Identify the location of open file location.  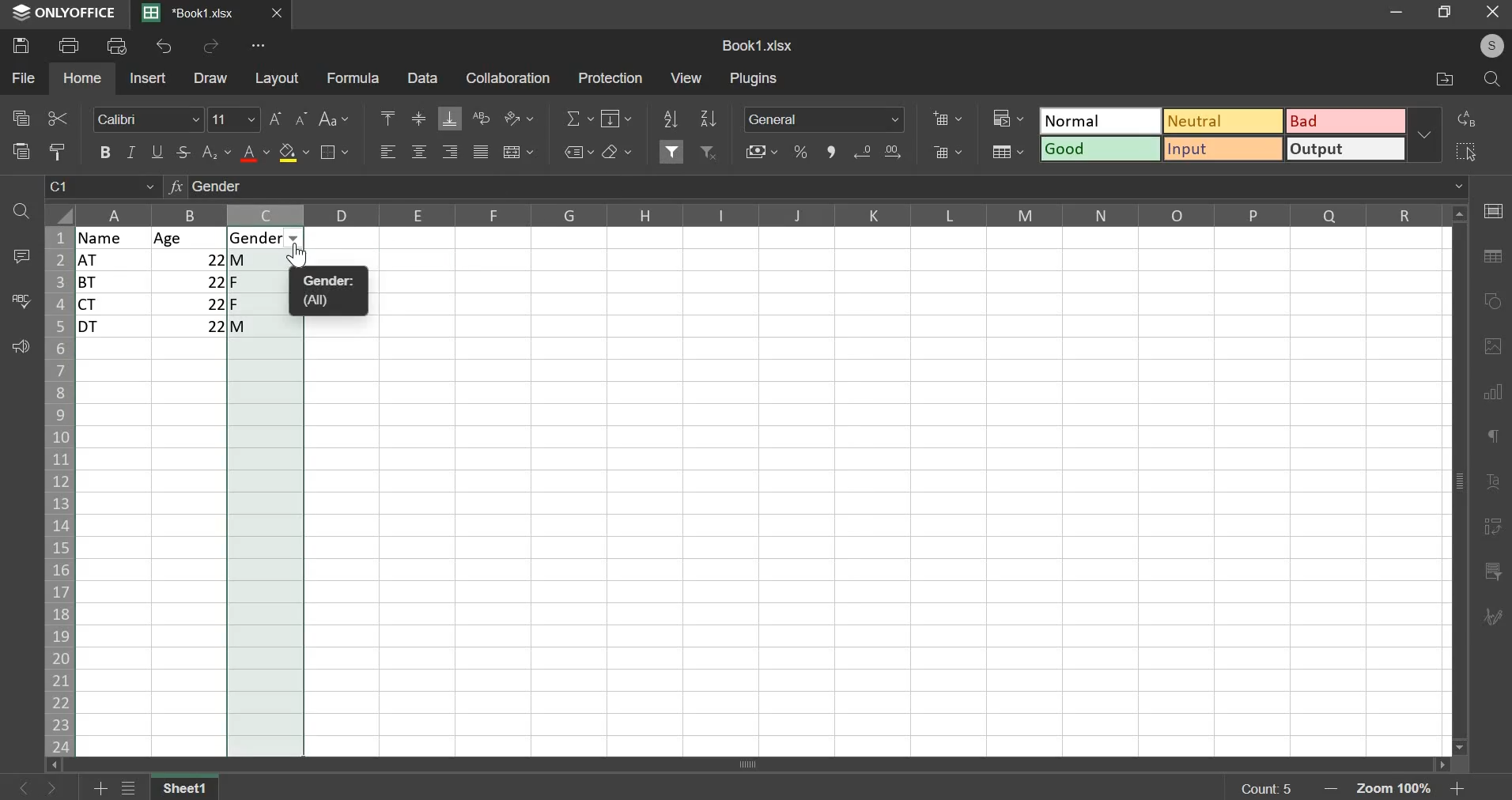
(1447, 80).